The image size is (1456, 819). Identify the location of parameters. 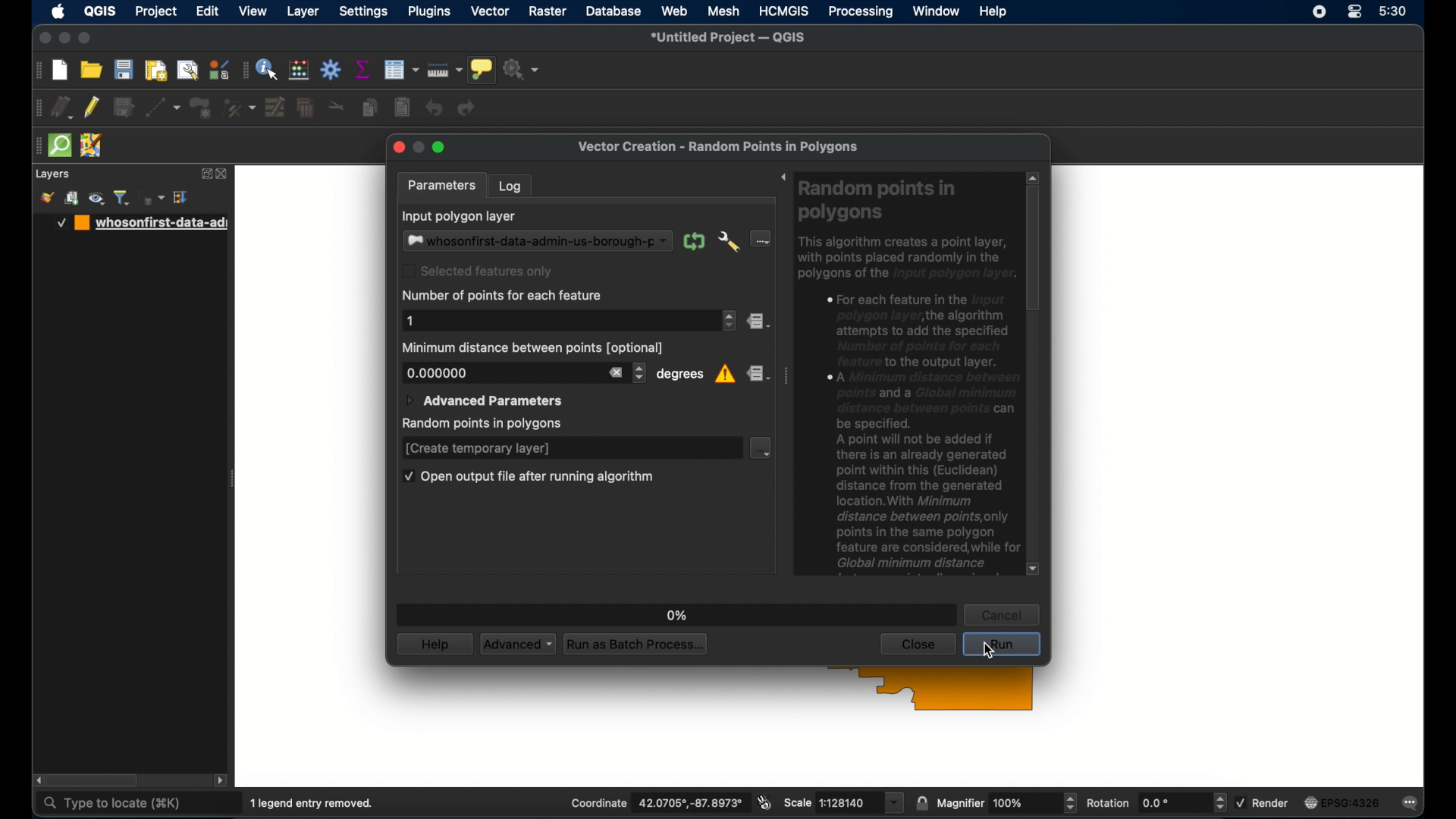
(443, 184).